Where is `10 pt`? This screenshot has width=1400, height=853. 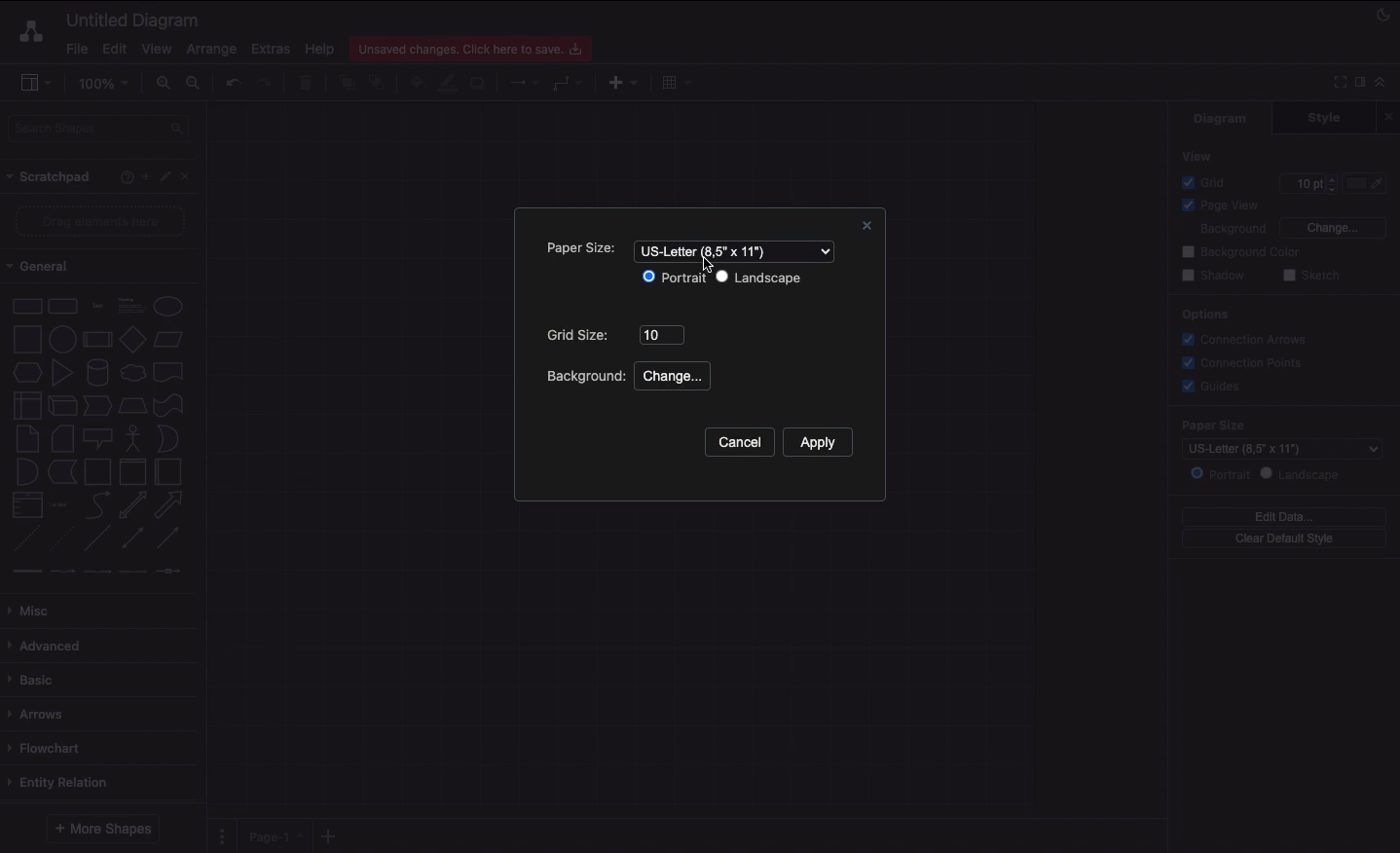 10 pt is located at coordinates (1307, 181).